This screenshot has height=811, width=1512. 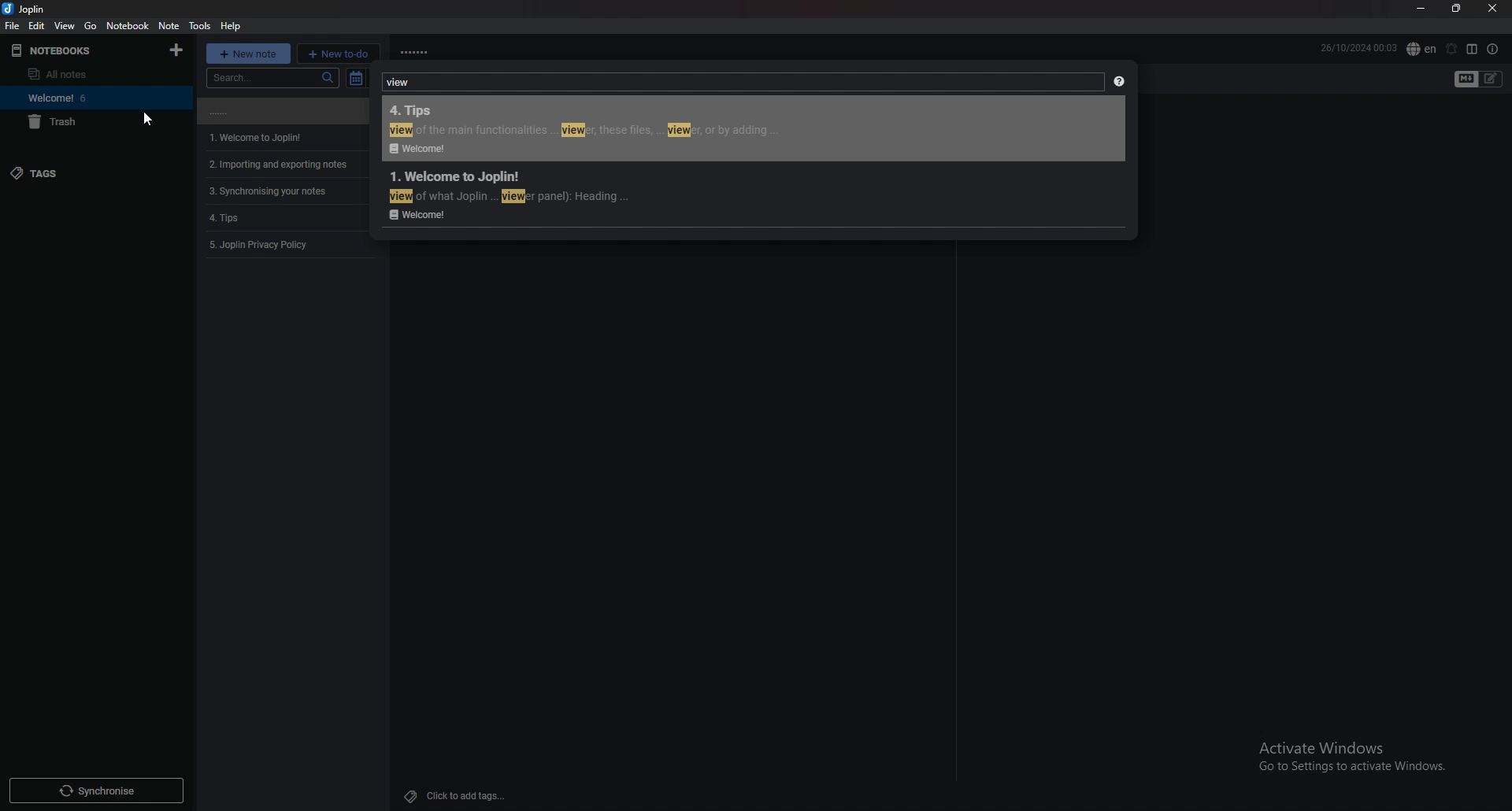 What do you see at coordinates (65, 25) in the screenshot?
I see `view` at bounding box center [65, 25].